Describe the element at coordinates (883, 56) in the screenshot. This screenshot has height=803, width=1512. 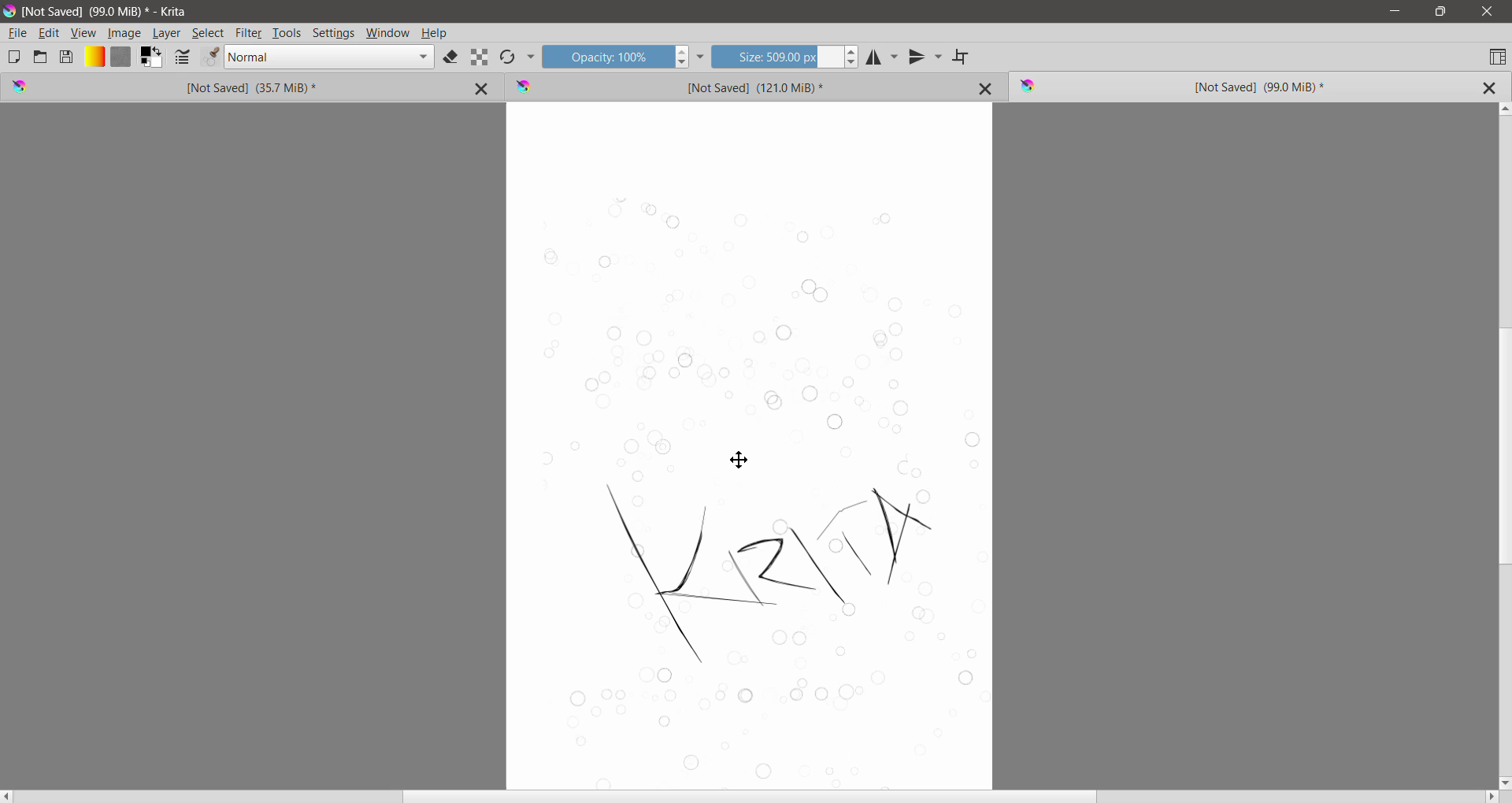
I see `Horizontal Mirror Tool` at that location.